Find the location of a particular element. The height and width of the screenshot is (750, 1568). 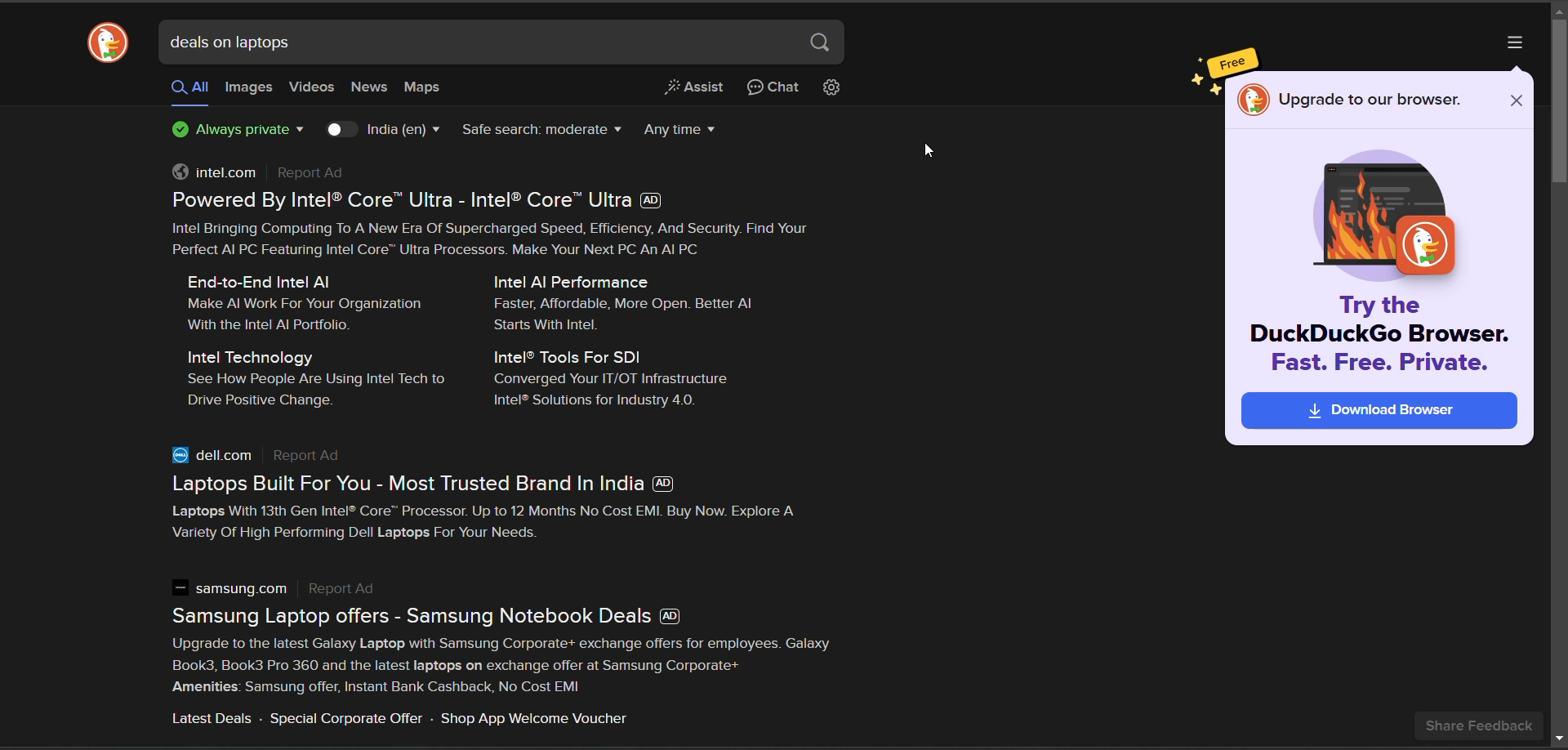

Powered By Intel® Core™ Ultra - Intel® Core™ Ultra (5) is located at coordinates (426, 200).